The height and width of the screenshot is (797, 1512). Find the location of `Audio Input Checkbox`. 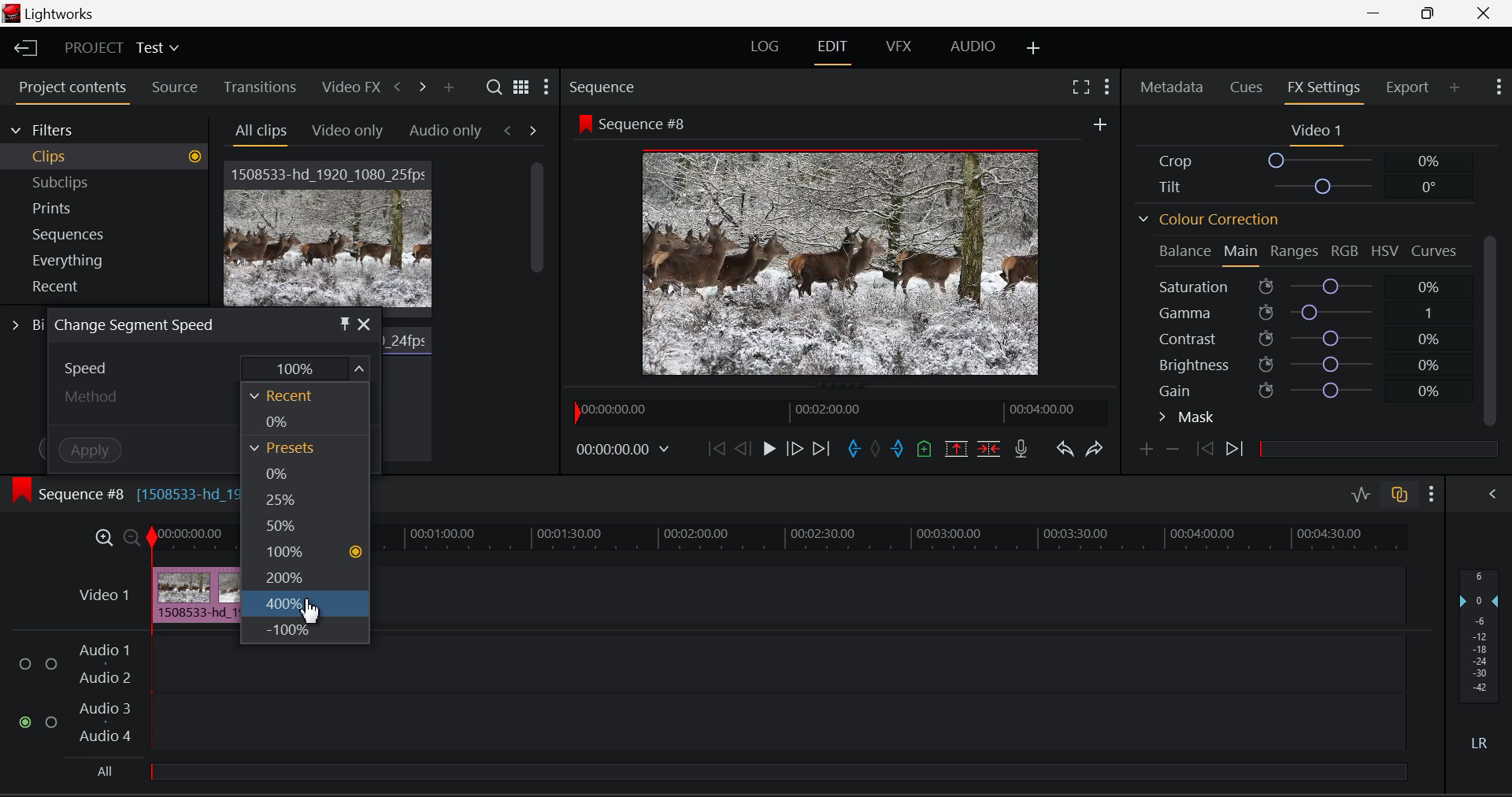

Audio Input Checkbox is located at coordinates (24, 665).